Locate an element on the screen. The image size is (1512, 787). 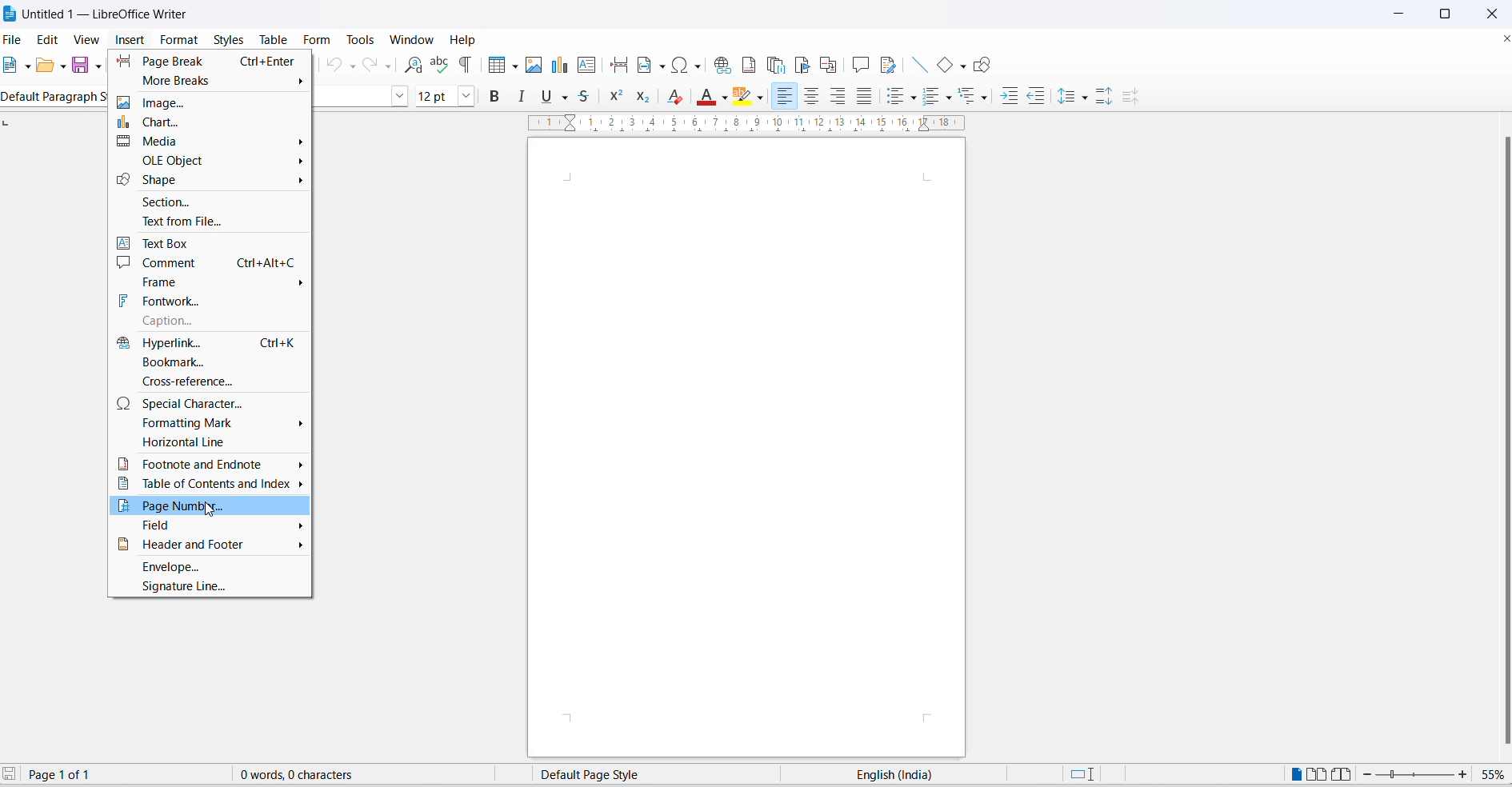
tools is located at coordinates (360, 39).